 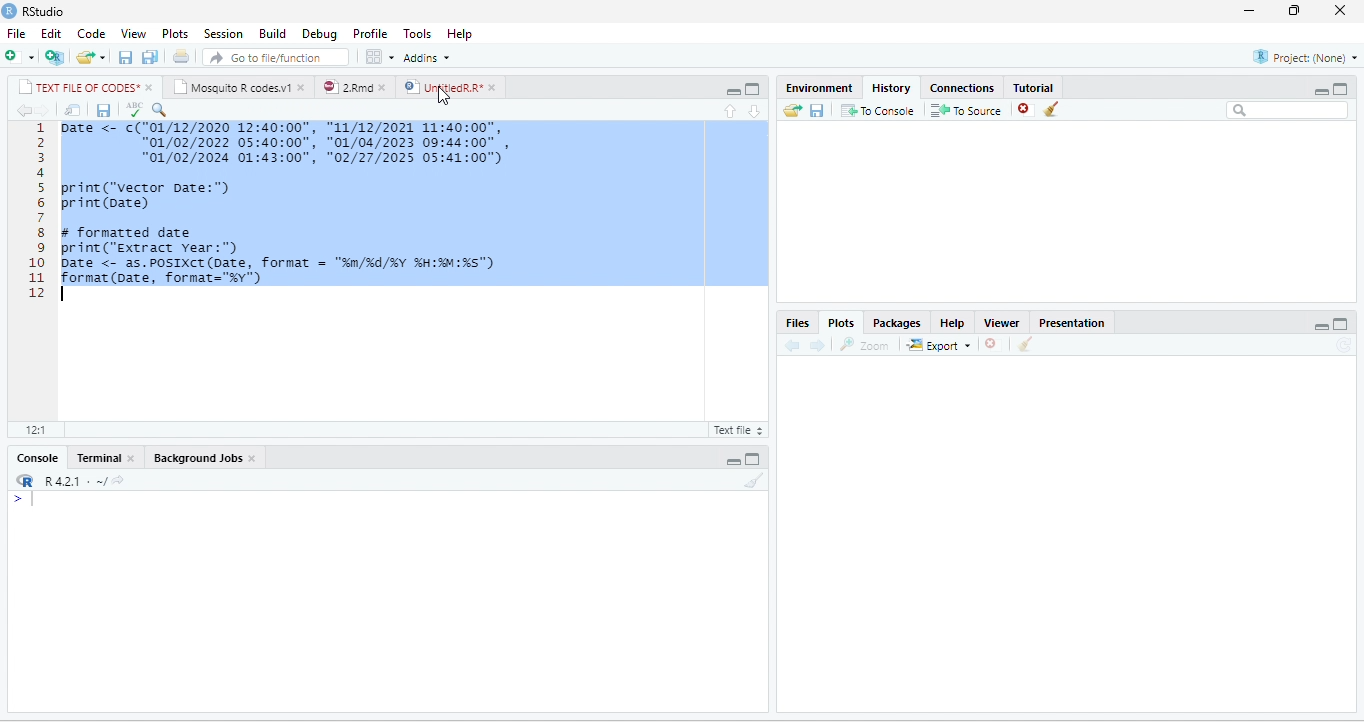 I want to click on >, so click(x=24, y=500).